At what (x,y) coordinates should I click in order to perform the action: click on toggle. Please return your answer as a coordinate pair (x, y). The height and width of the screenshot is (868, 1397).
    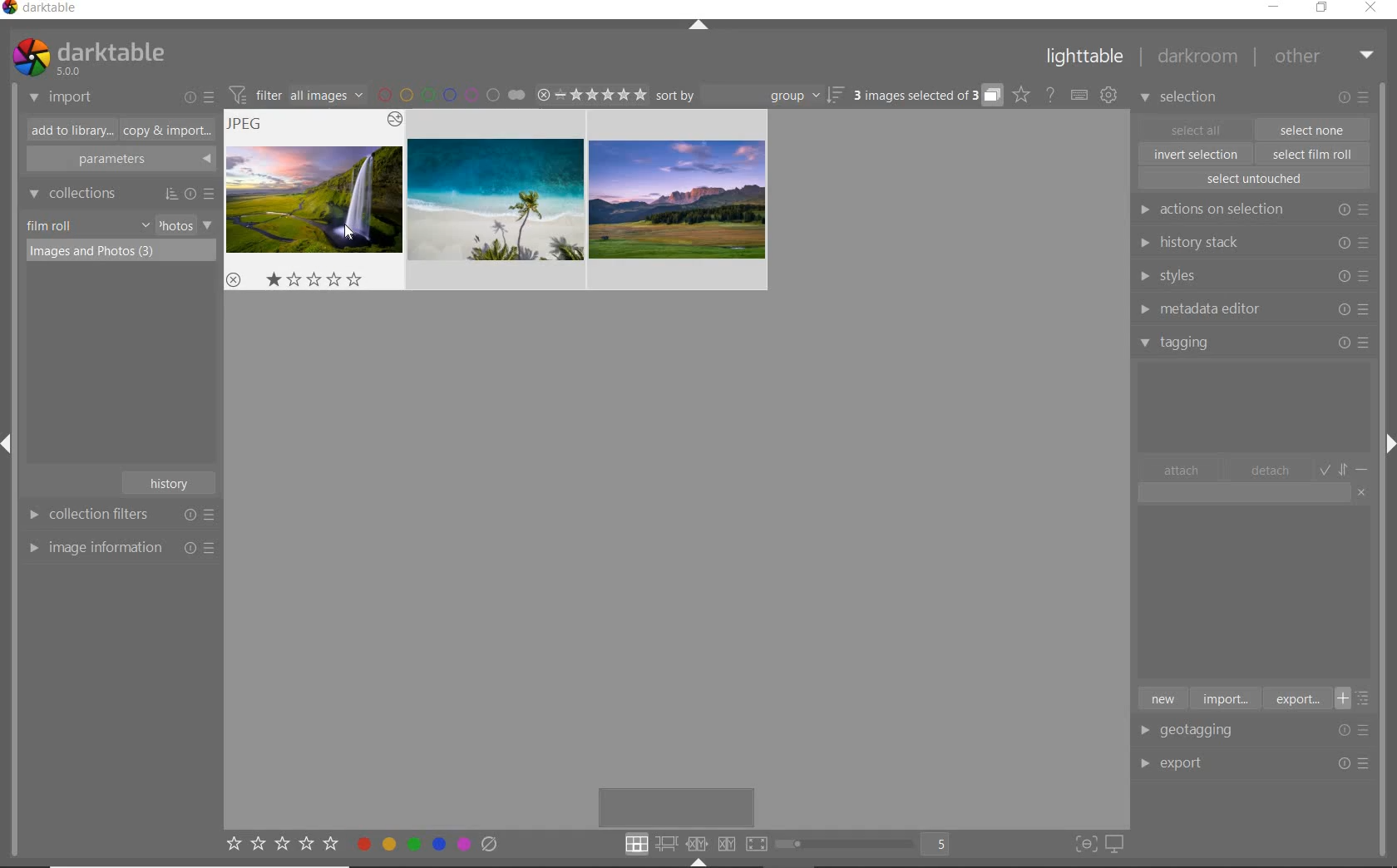
    Looking at the image, I should click on (1345, 468).